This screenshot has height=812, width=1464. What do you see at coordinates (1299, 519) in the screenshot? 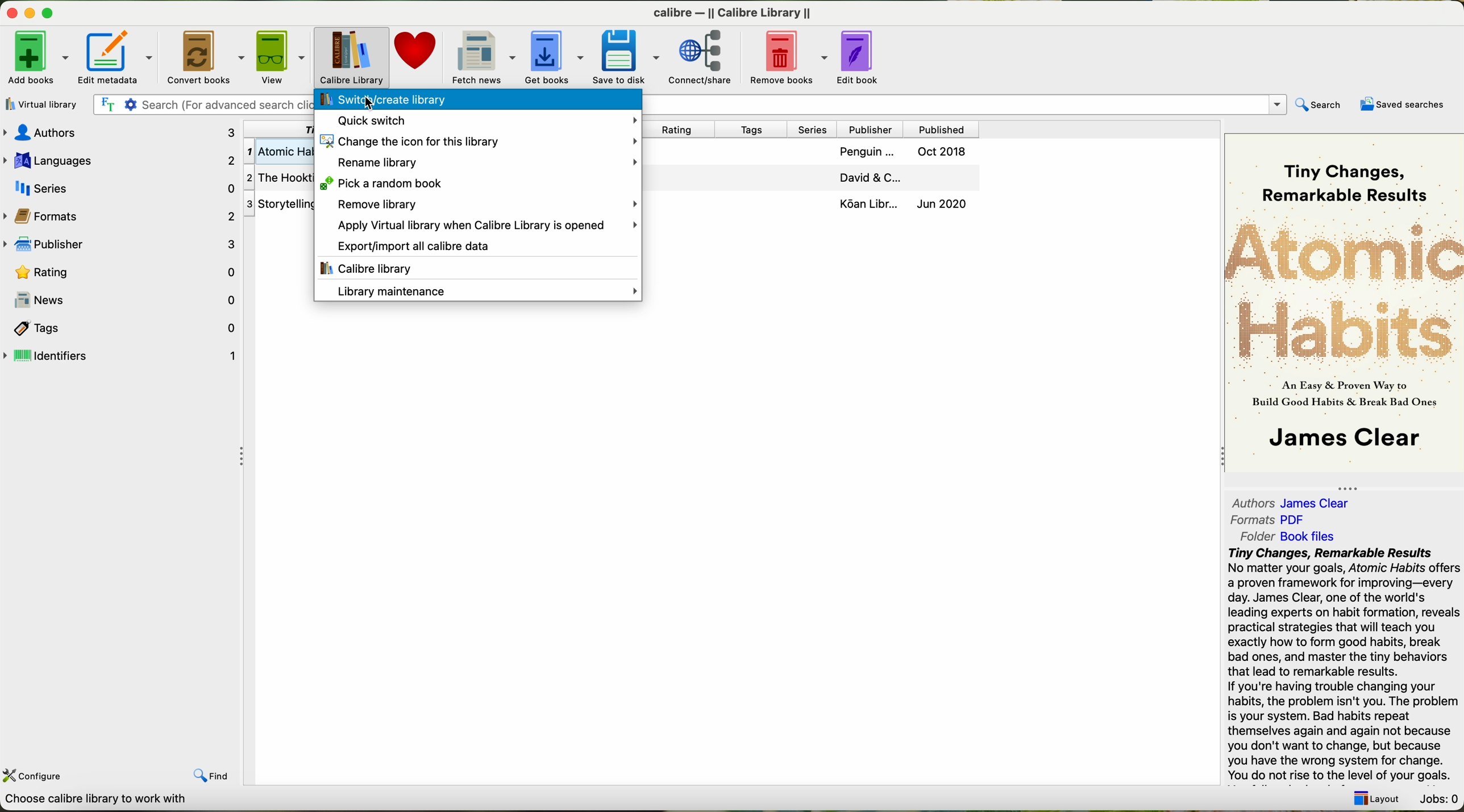
I see `PDF` at bounding box center [1299, 519].